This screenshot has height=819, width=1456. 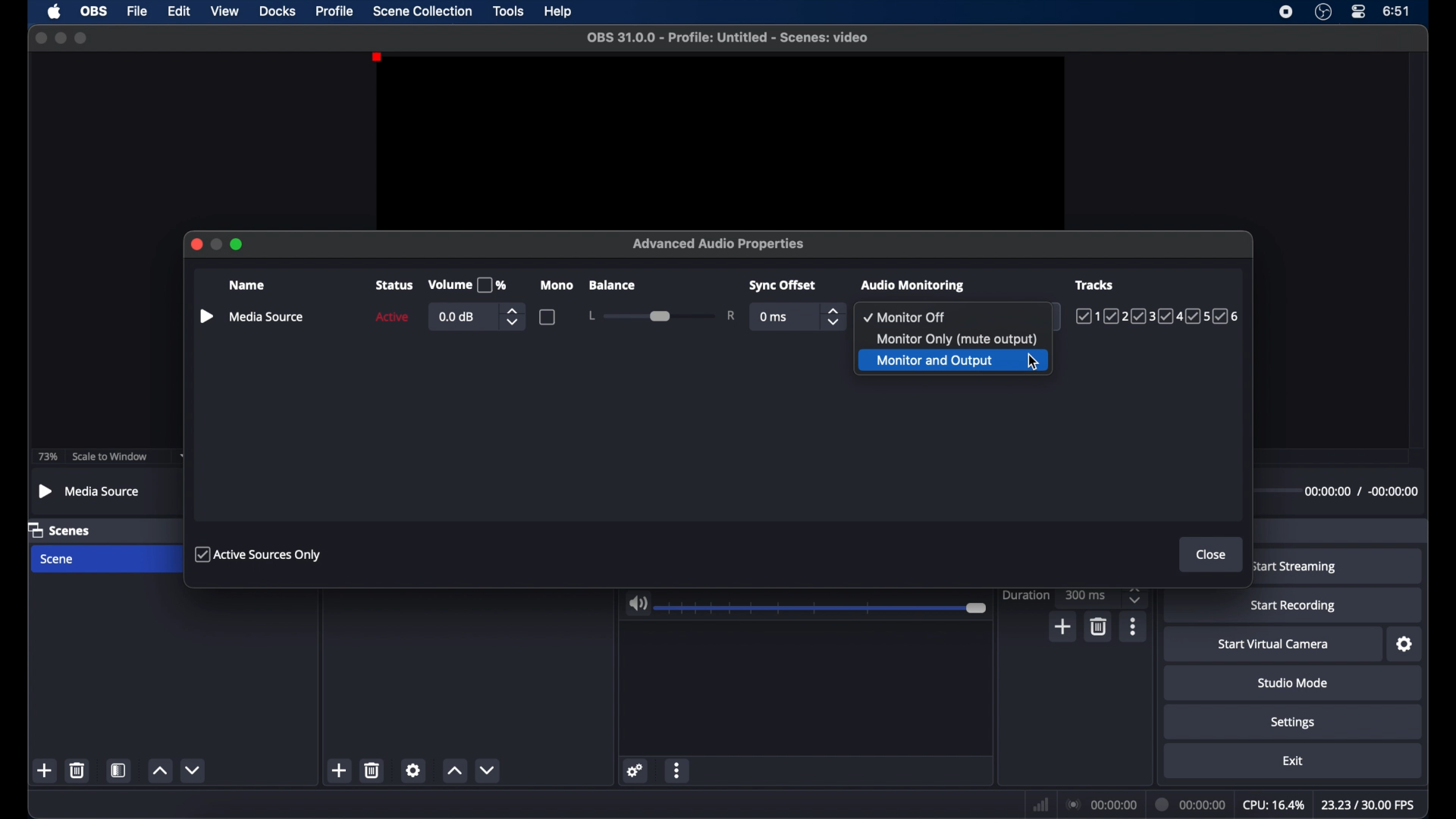 I want to click on syncoffset, so click(x=782, y=285).